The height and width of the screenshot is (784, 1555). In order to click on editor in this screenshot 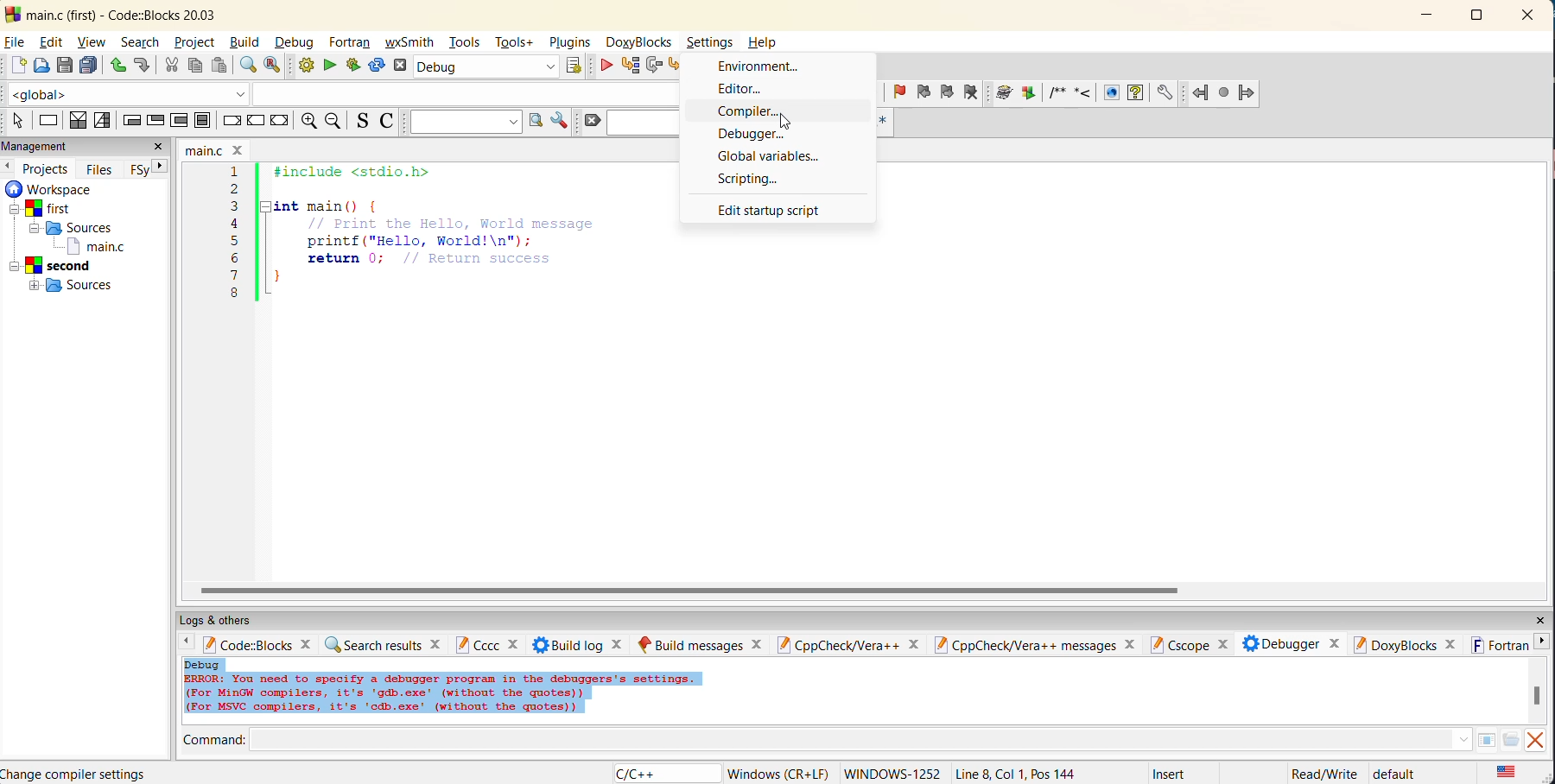, I will do `click(744, 88)`.